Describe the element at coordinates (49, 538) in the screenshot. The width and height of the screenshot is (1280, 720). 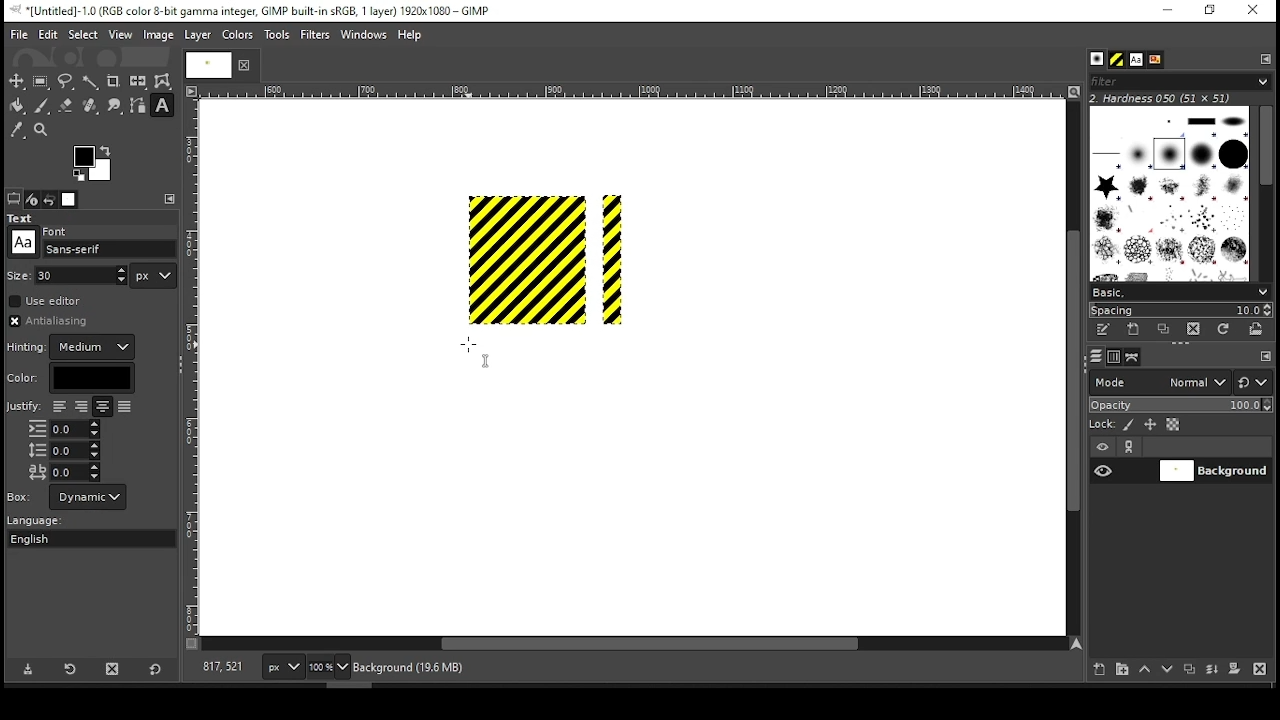
I see `english` at that location.